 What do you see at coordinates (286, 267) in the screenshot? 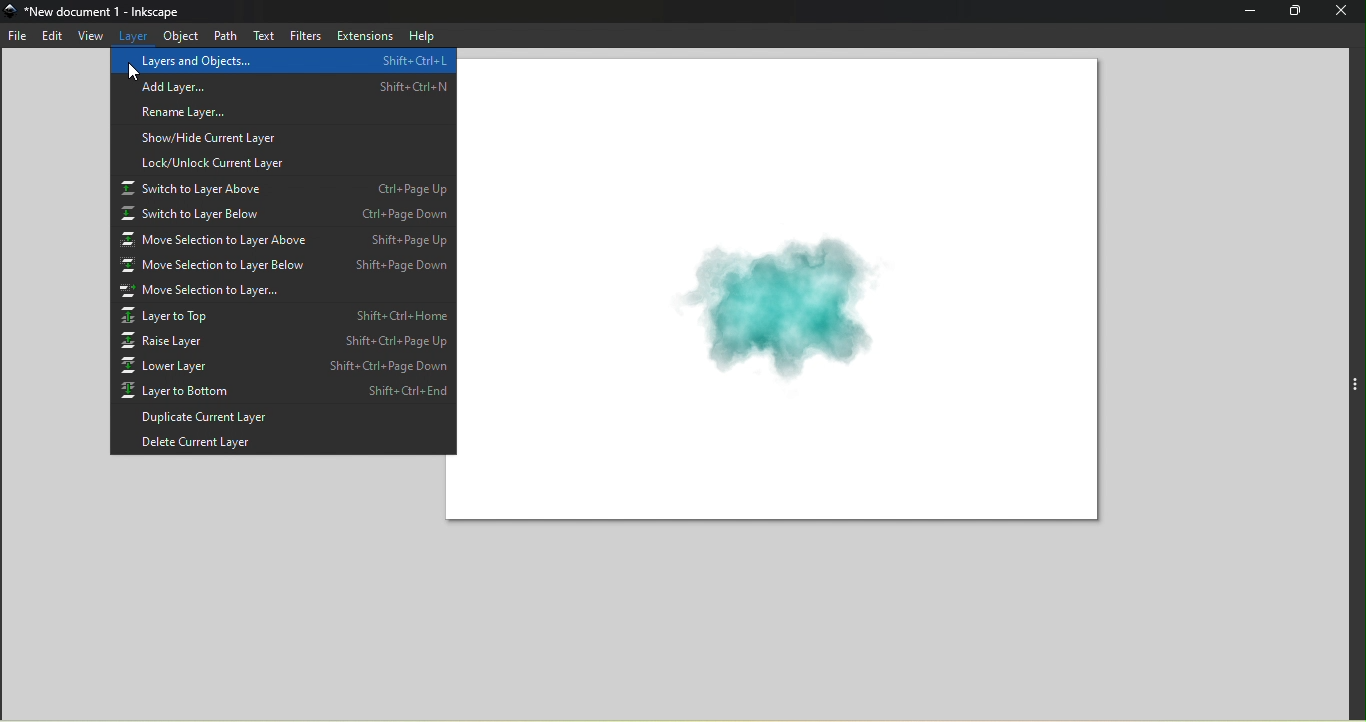
I see `Move selection to layer below` at bounding box center [286, 267].